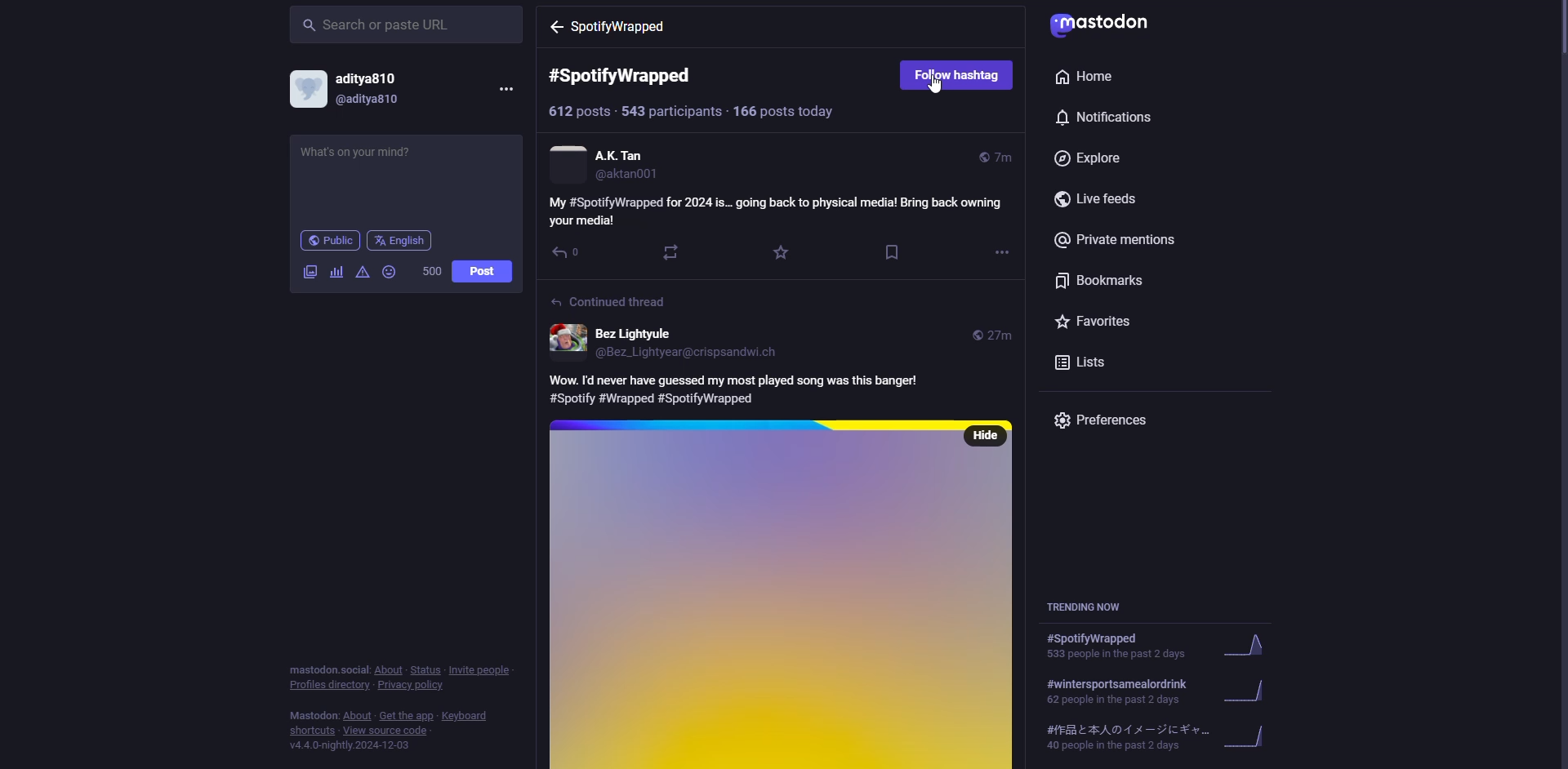  What do you see at coordinates (993, 336) in the screenshot?
I see `time` at bounding box center [993, 336].